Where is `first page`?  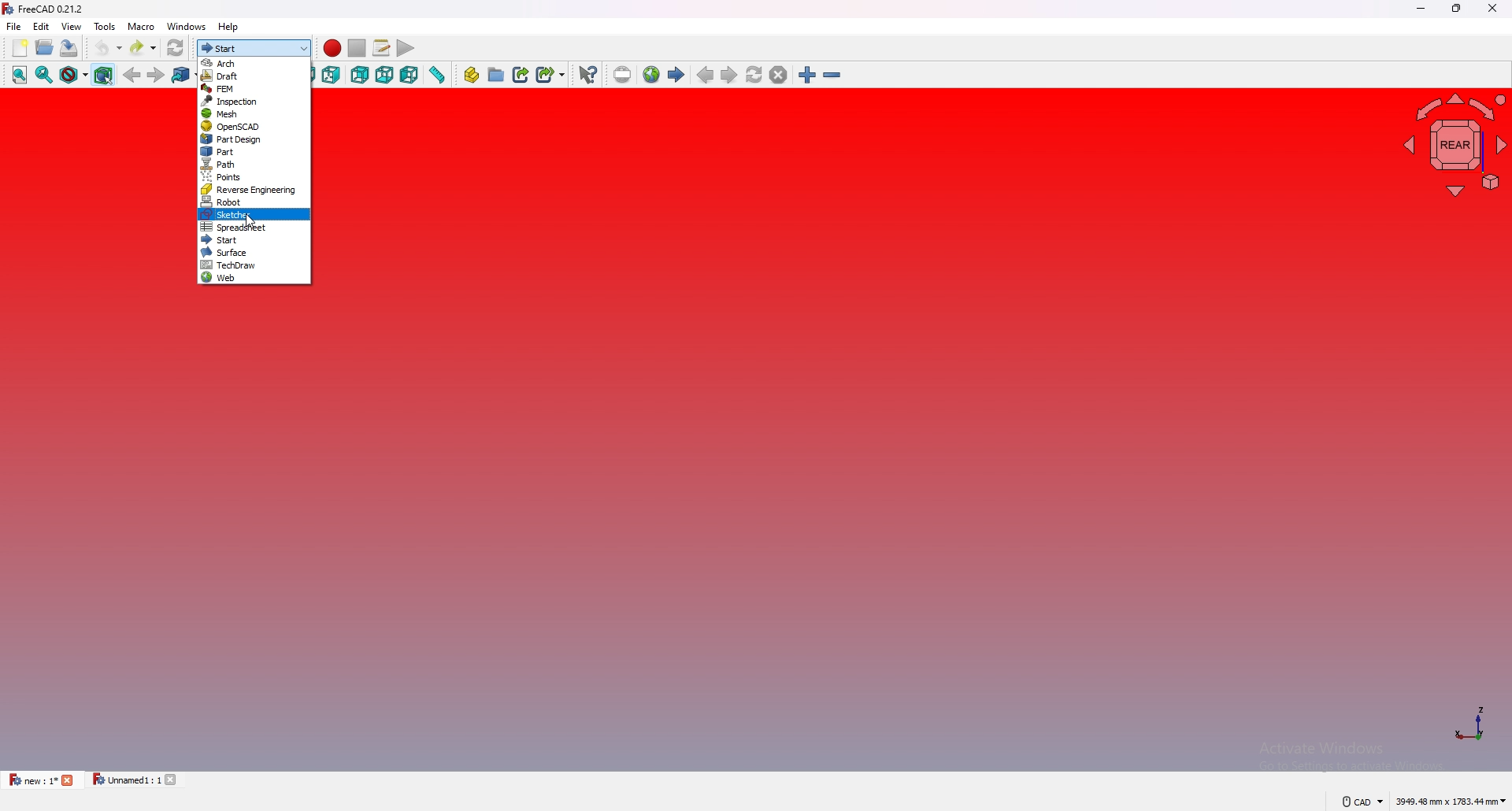
first page is located at coordinates (676, 74).